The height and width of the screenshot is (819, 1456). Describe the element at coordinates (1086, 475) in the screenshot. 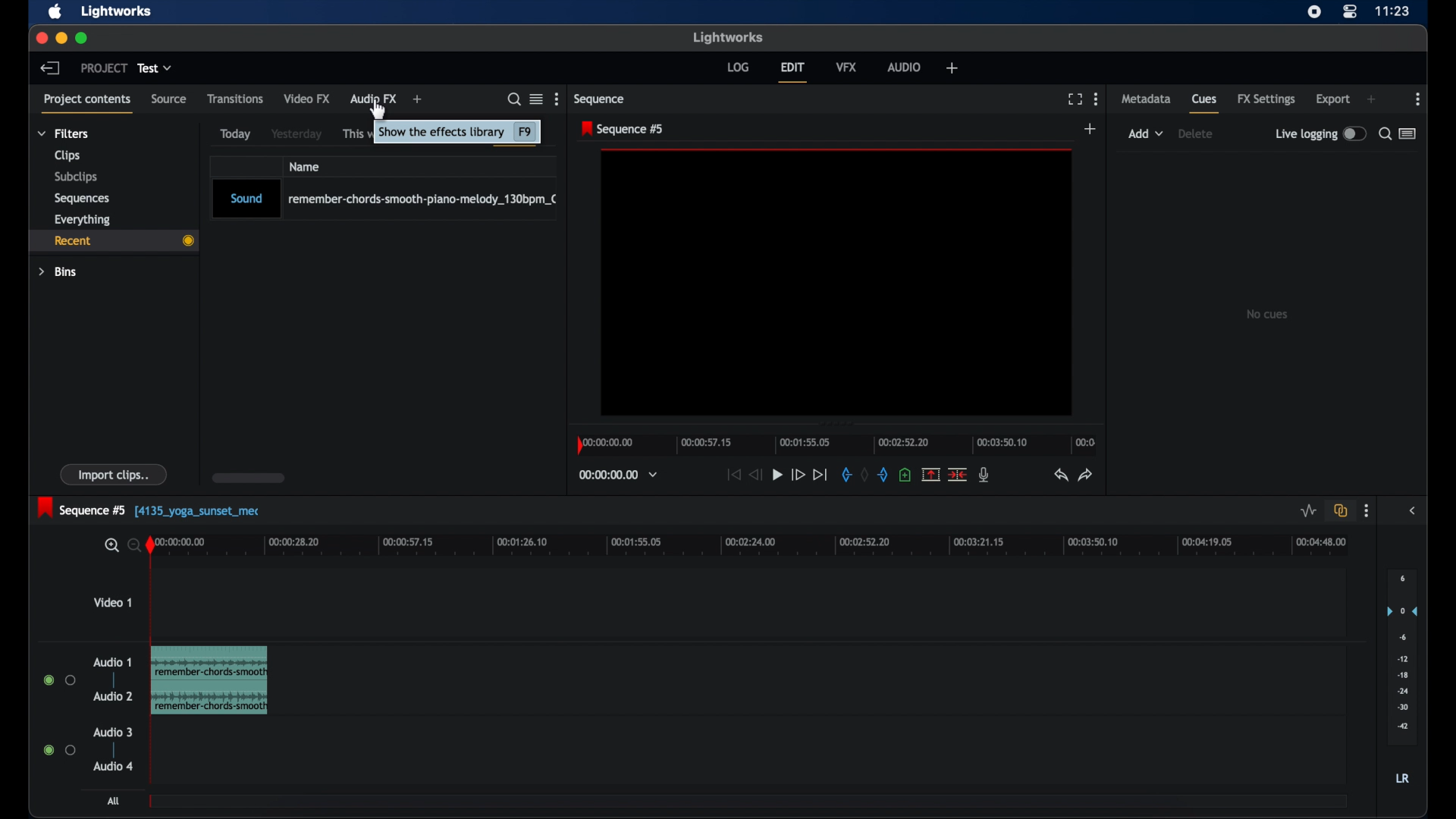

I see `redo` at that location.